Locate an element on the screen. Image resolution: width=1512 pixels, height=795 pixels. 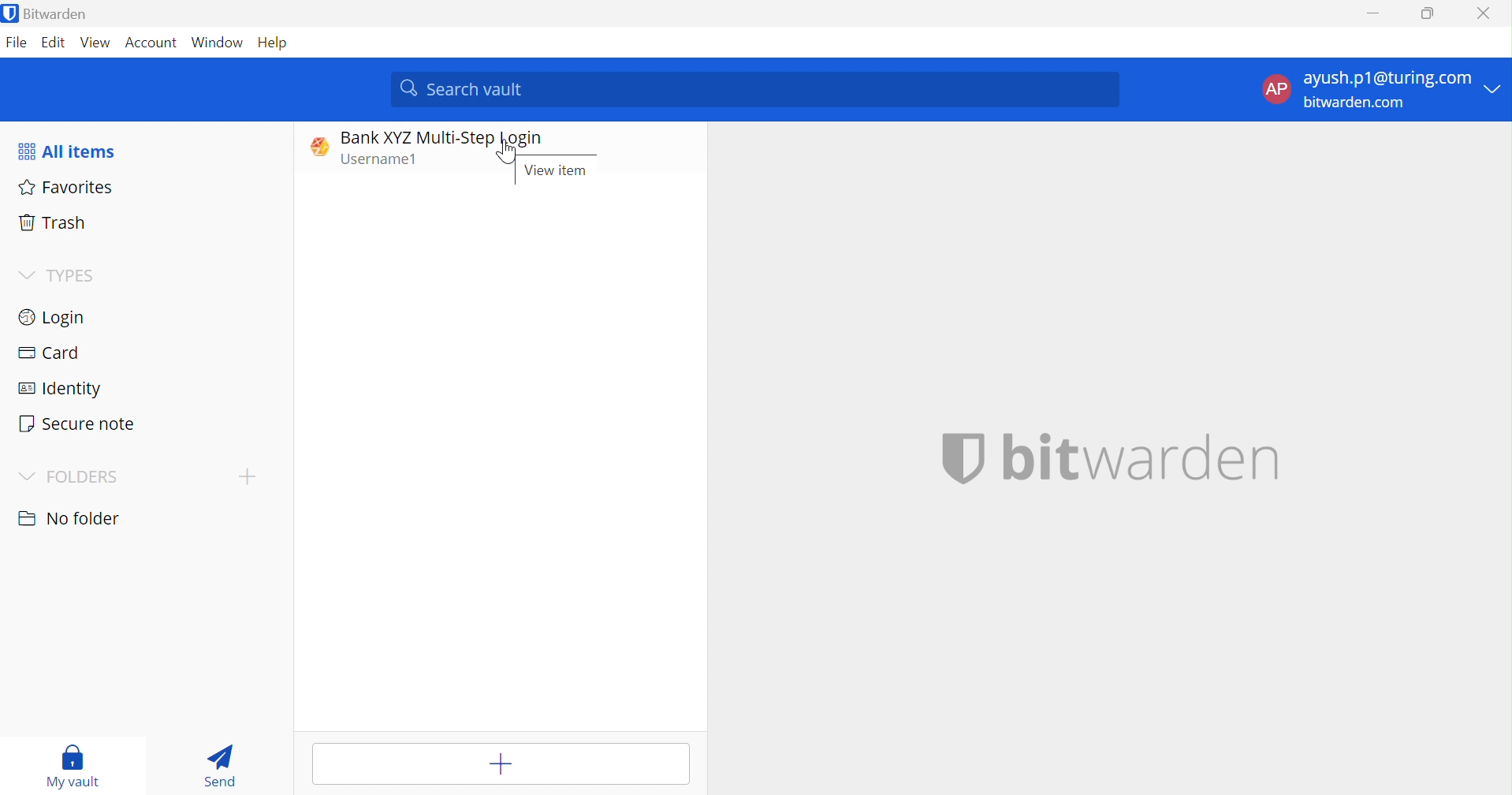
Drop Down is located at coordinates (1498, 89).